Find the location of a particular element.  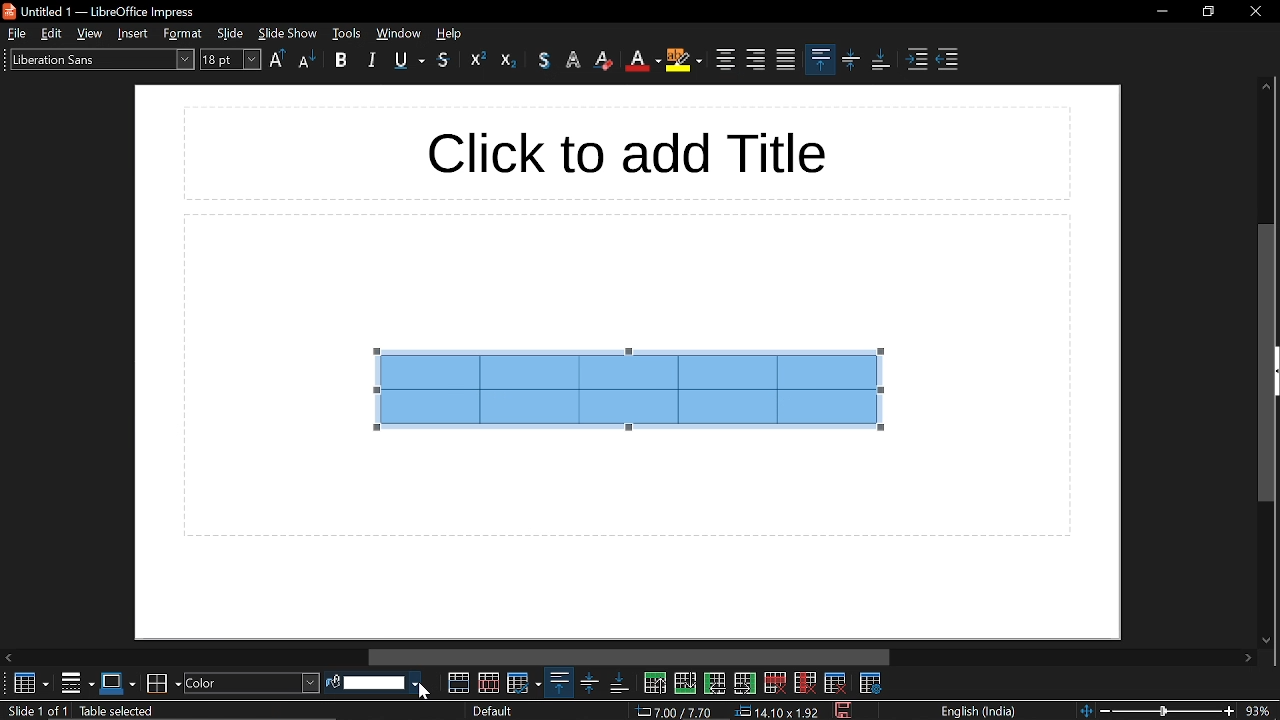

selected cells is located at coordinates (636, 386).